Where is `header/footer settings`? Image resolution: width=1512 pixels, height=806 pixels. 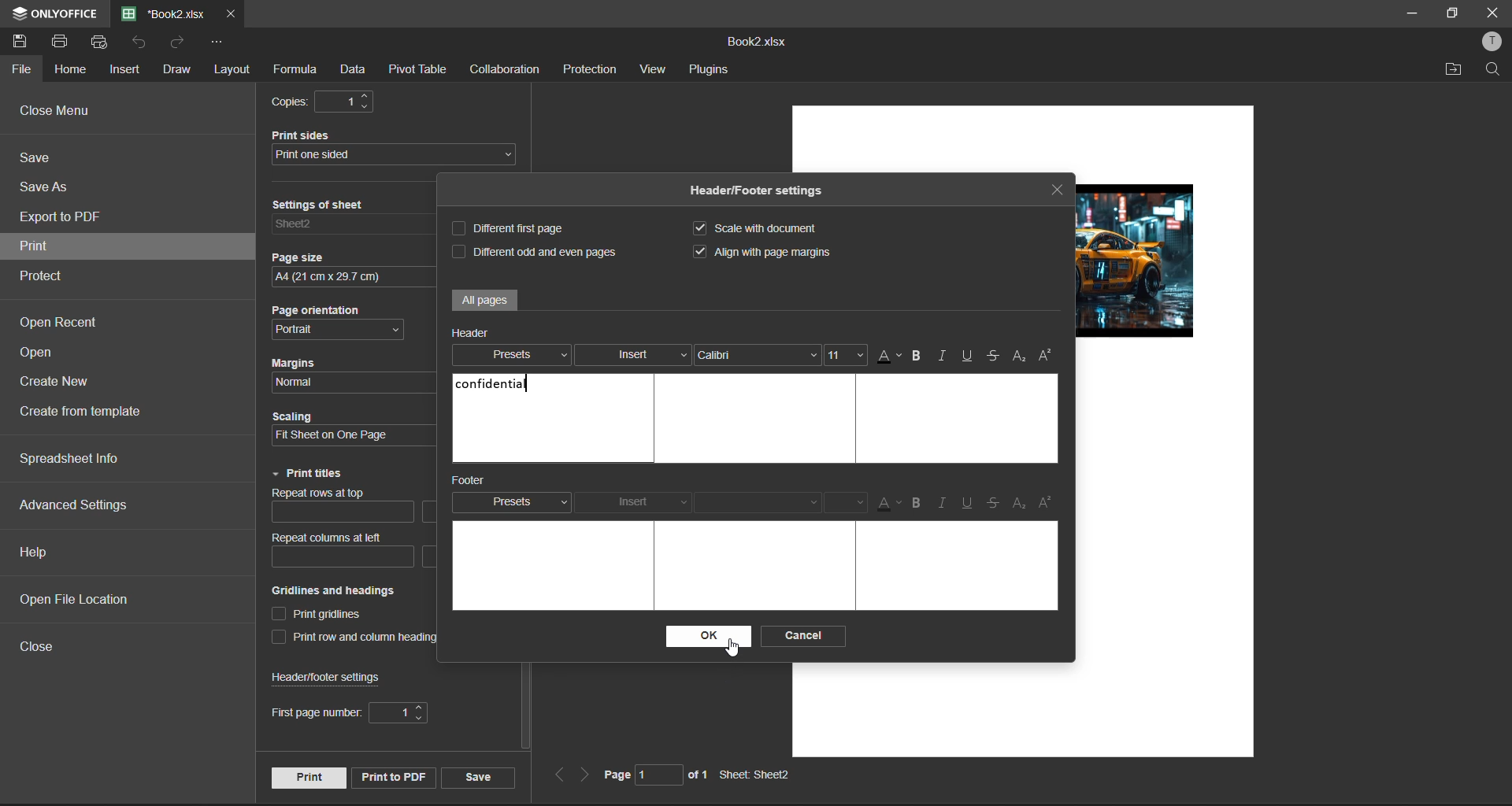
header/footer settings is located at coordinates (335, 677).